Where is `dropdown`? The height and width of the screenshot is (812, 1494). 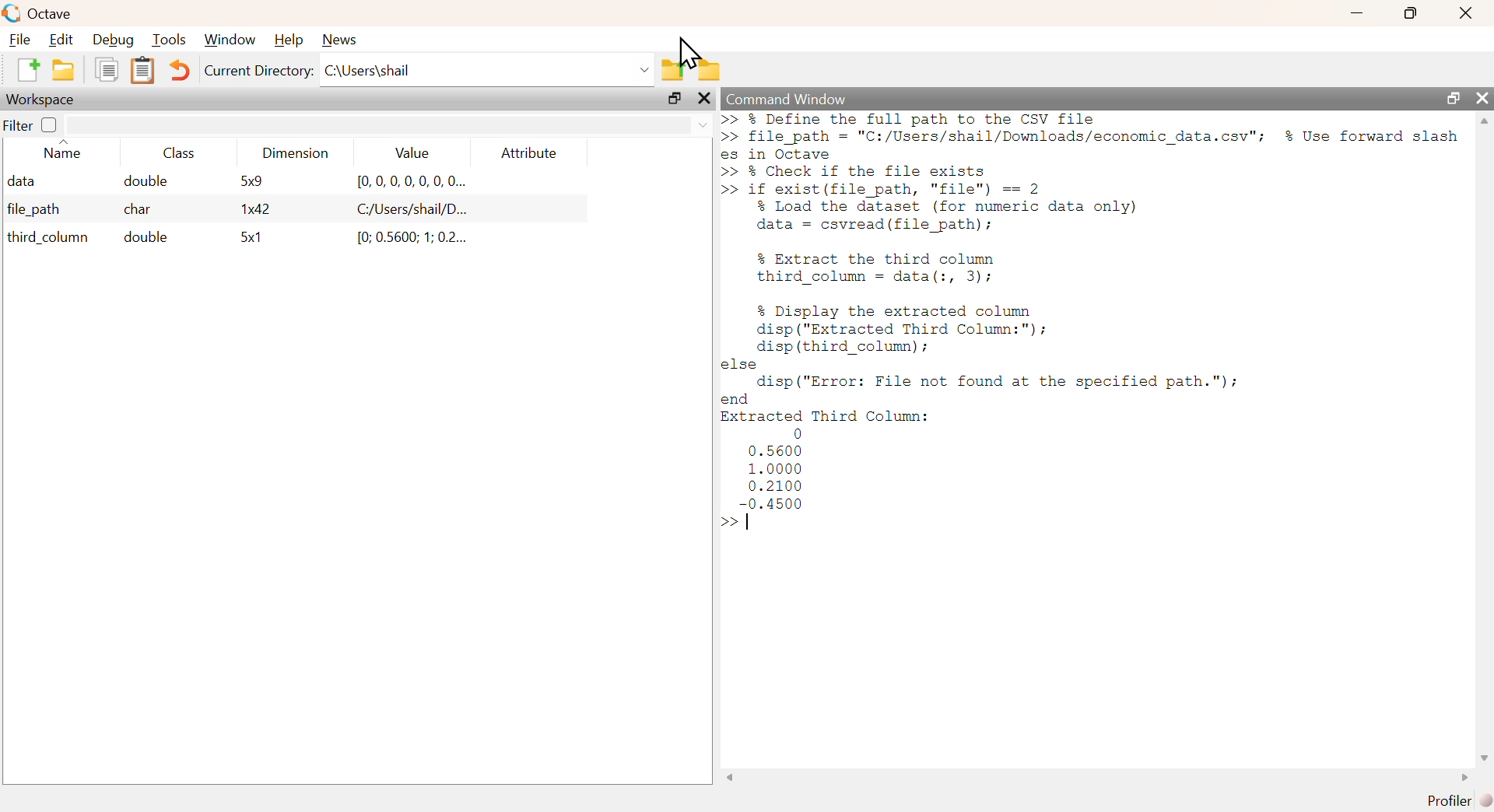 dropdown is located at coordinates (389, 123).